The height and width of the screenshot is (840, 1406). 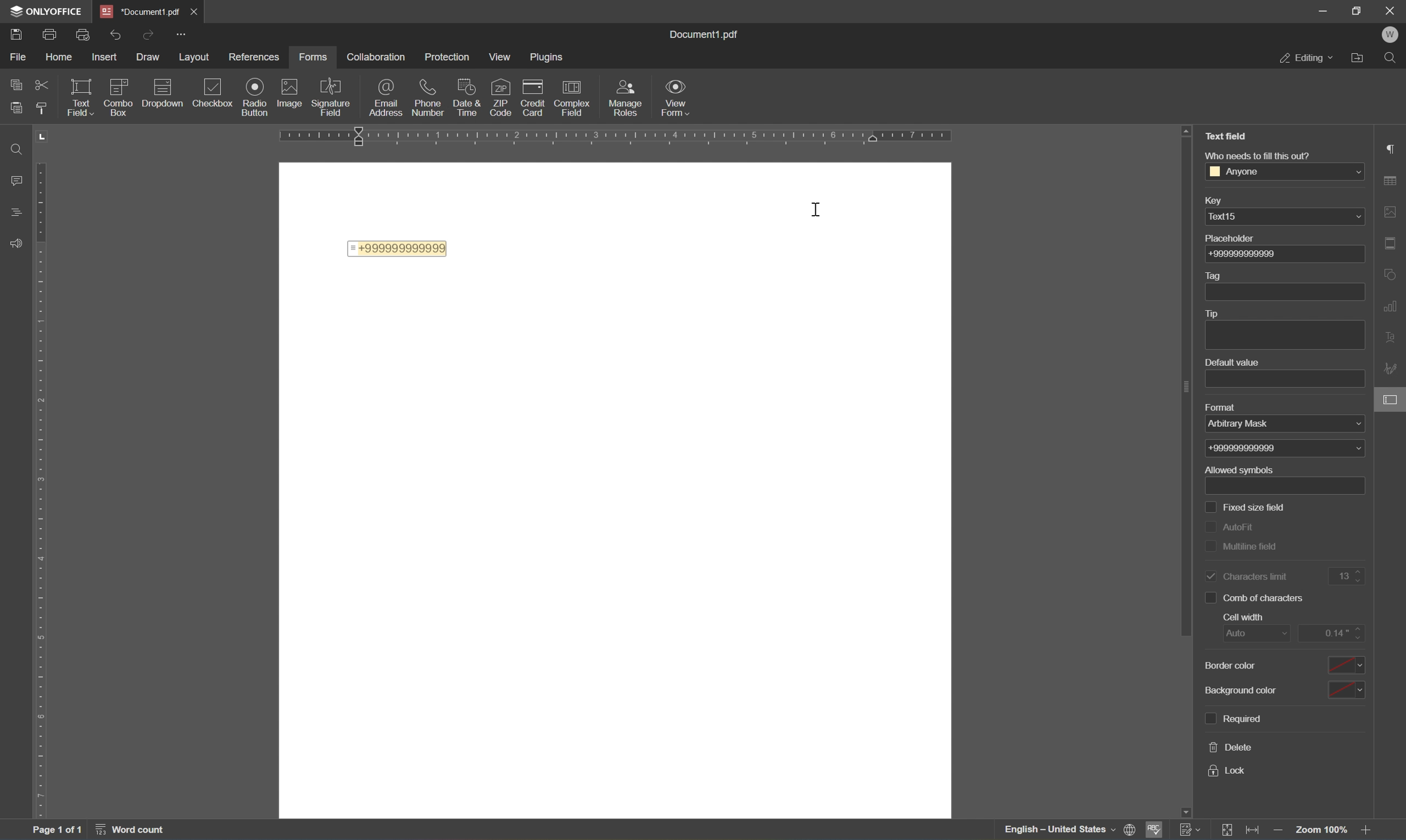 I want to click on fit to page, so click(x=1231, y=830).